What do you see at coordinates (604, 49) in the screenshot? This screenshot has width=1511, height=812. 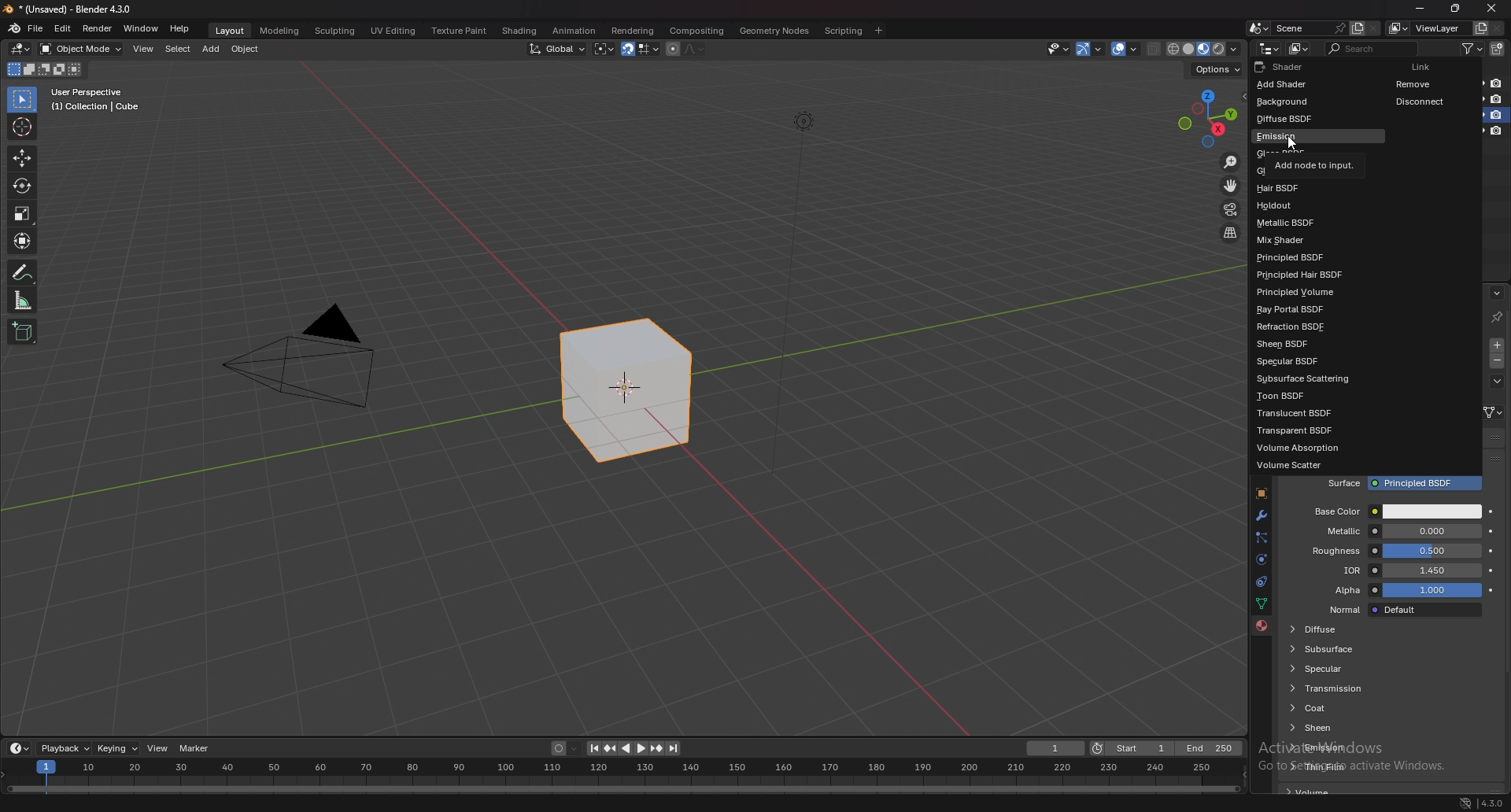 I see `transform pivot point` at bounding box center [604, 49].